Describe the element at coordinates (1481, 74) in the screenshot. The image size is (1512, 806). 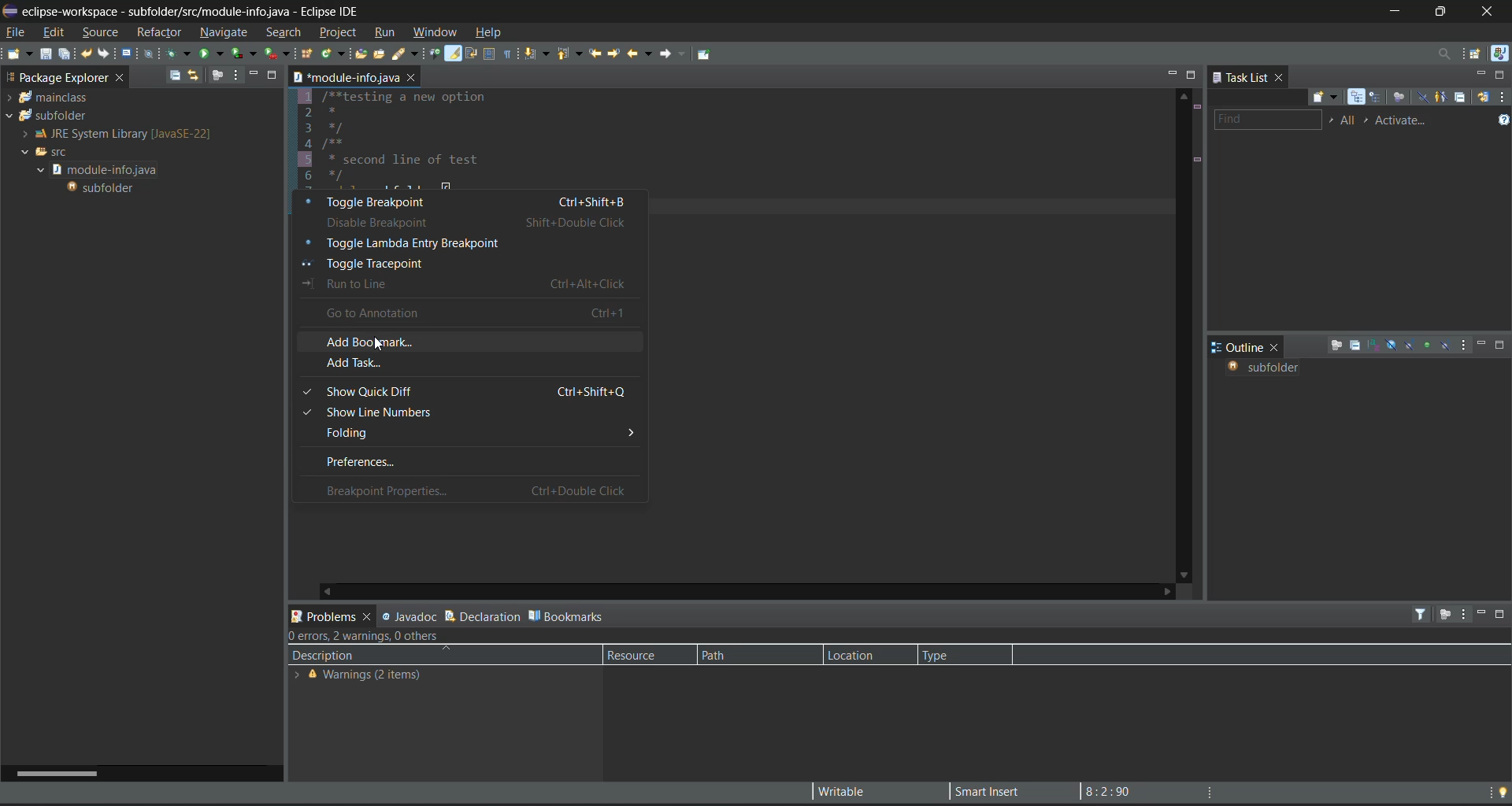
I see `minimize` at that location.